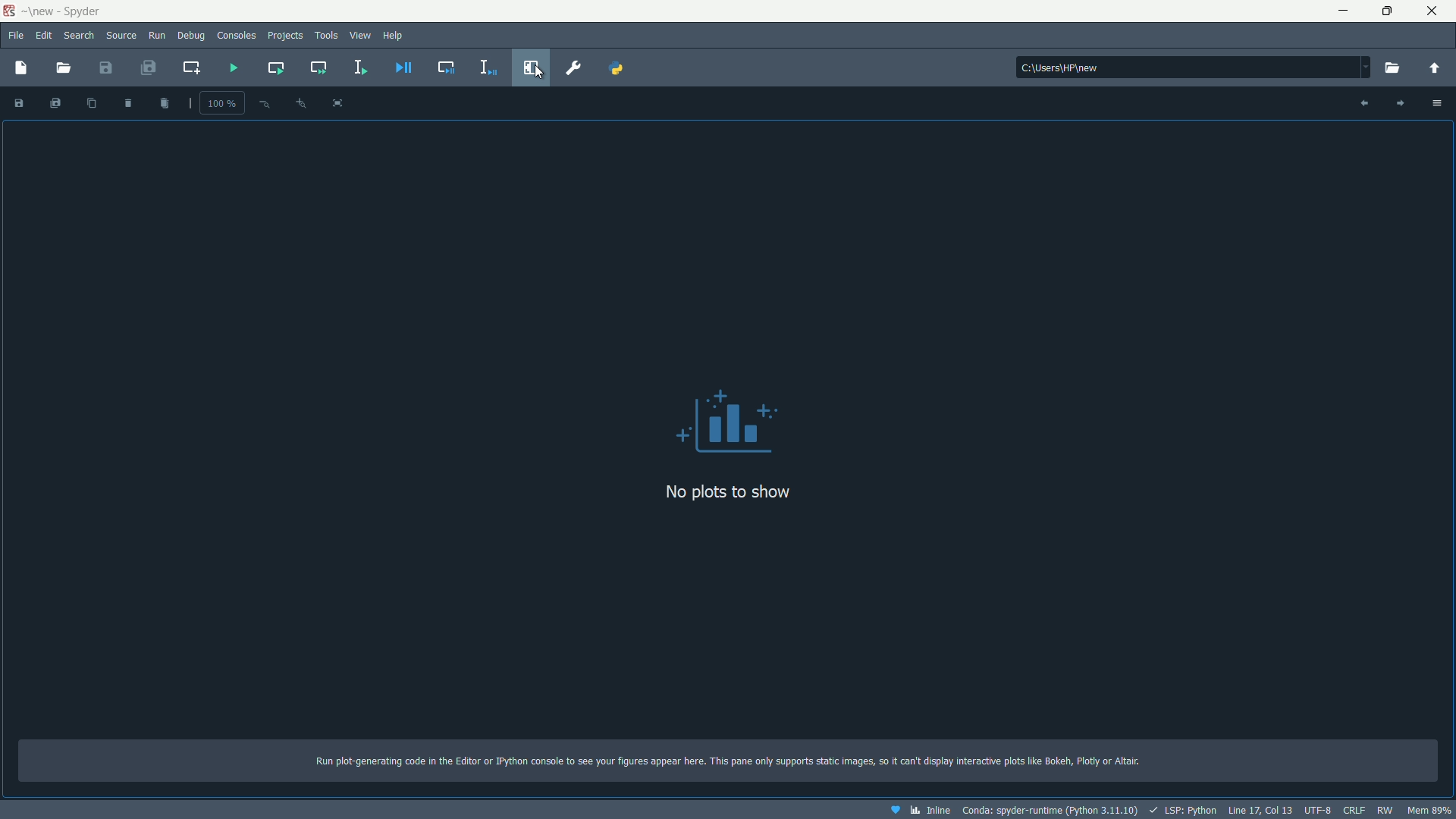 The width and height of the screenshot is (1456, 819). I want to click on Run plot-generating code in the Editor or Python console to see your figures appear here. This pane only supports static images, so it can't display interactive plots like Bokeh, Plotly or Altair, so click(732, 758).